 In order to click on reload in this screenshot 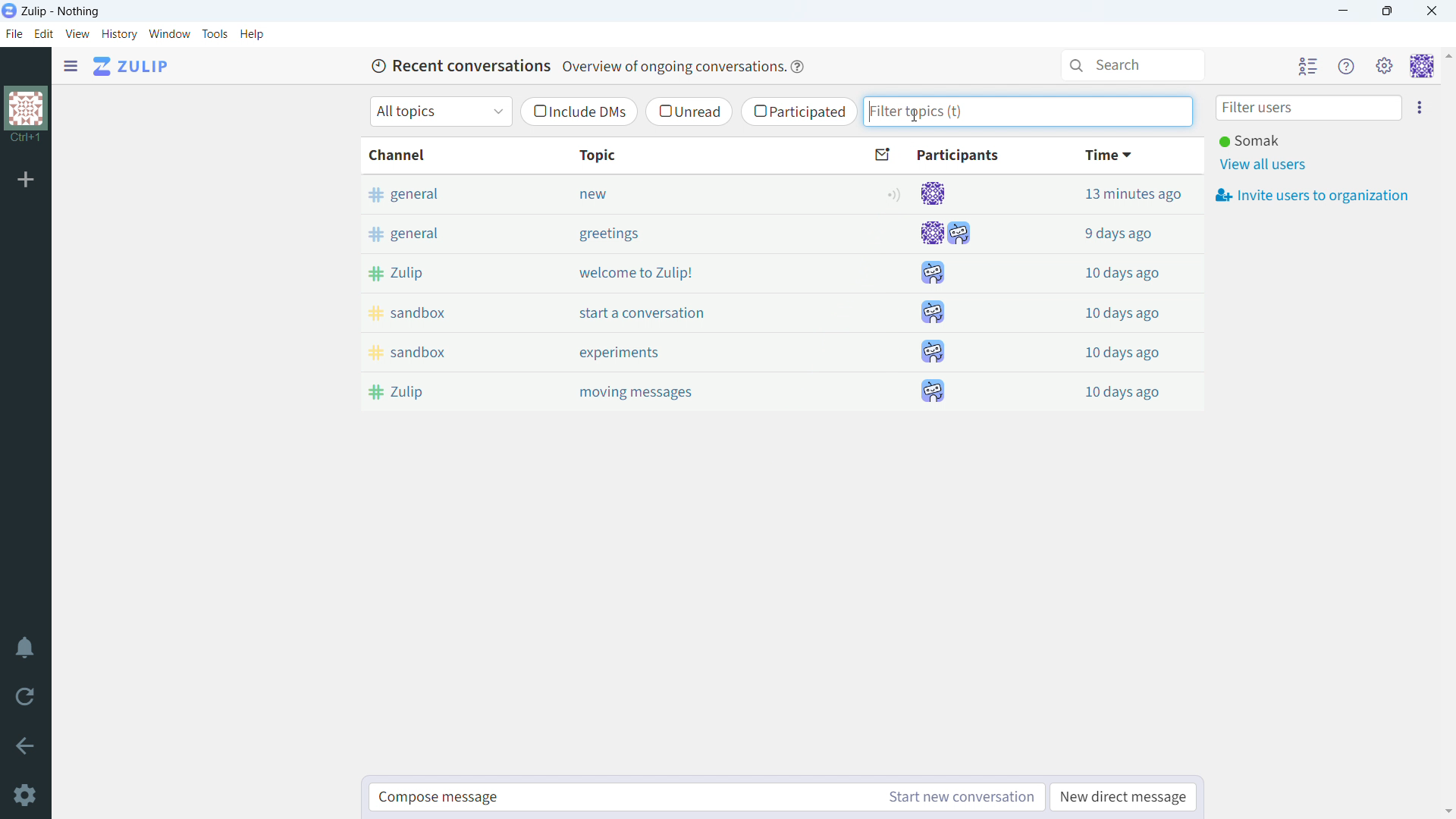, I will do `click(24, 697)`.